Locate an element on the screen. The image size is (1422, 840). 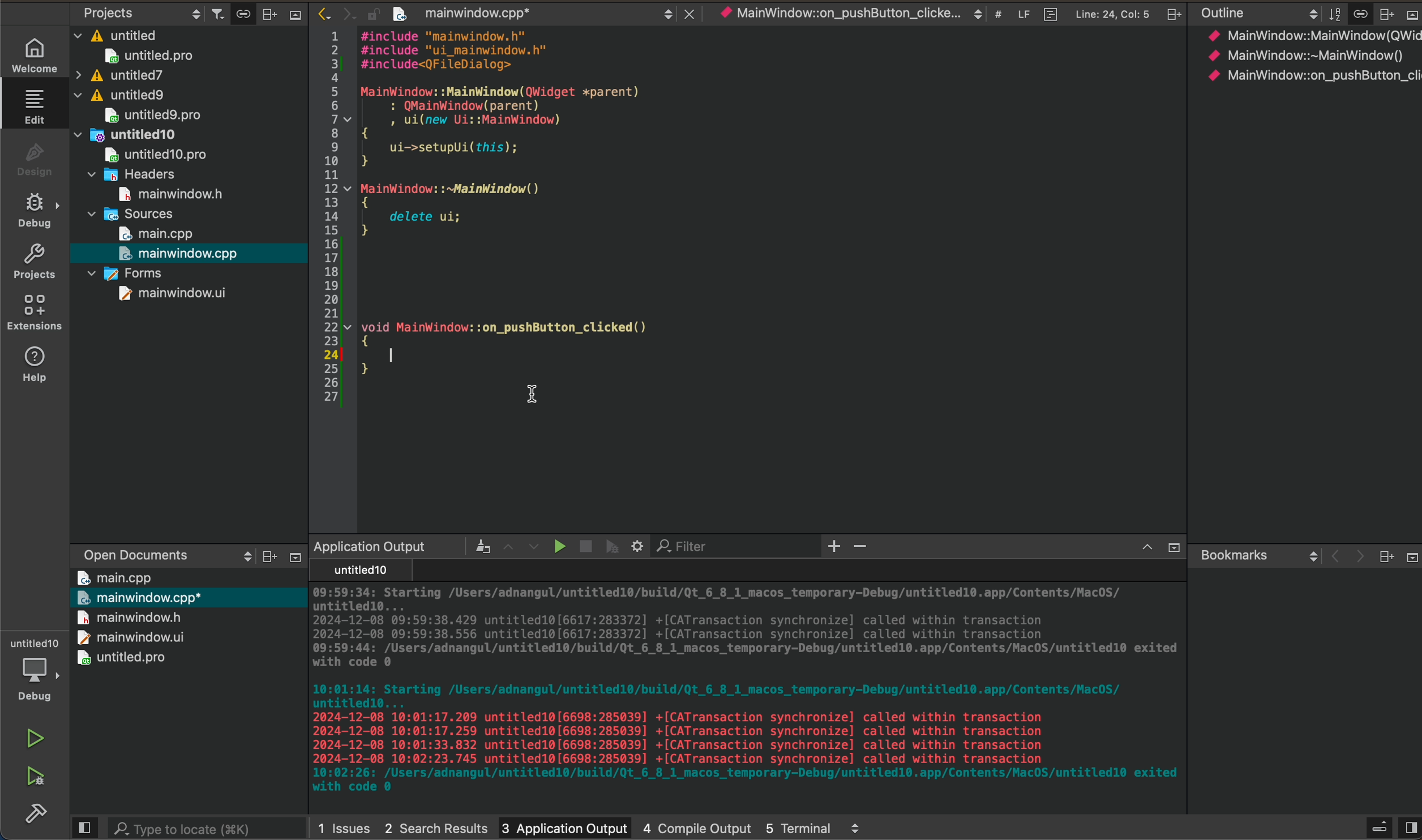
play is located at coordinates (556, 546).